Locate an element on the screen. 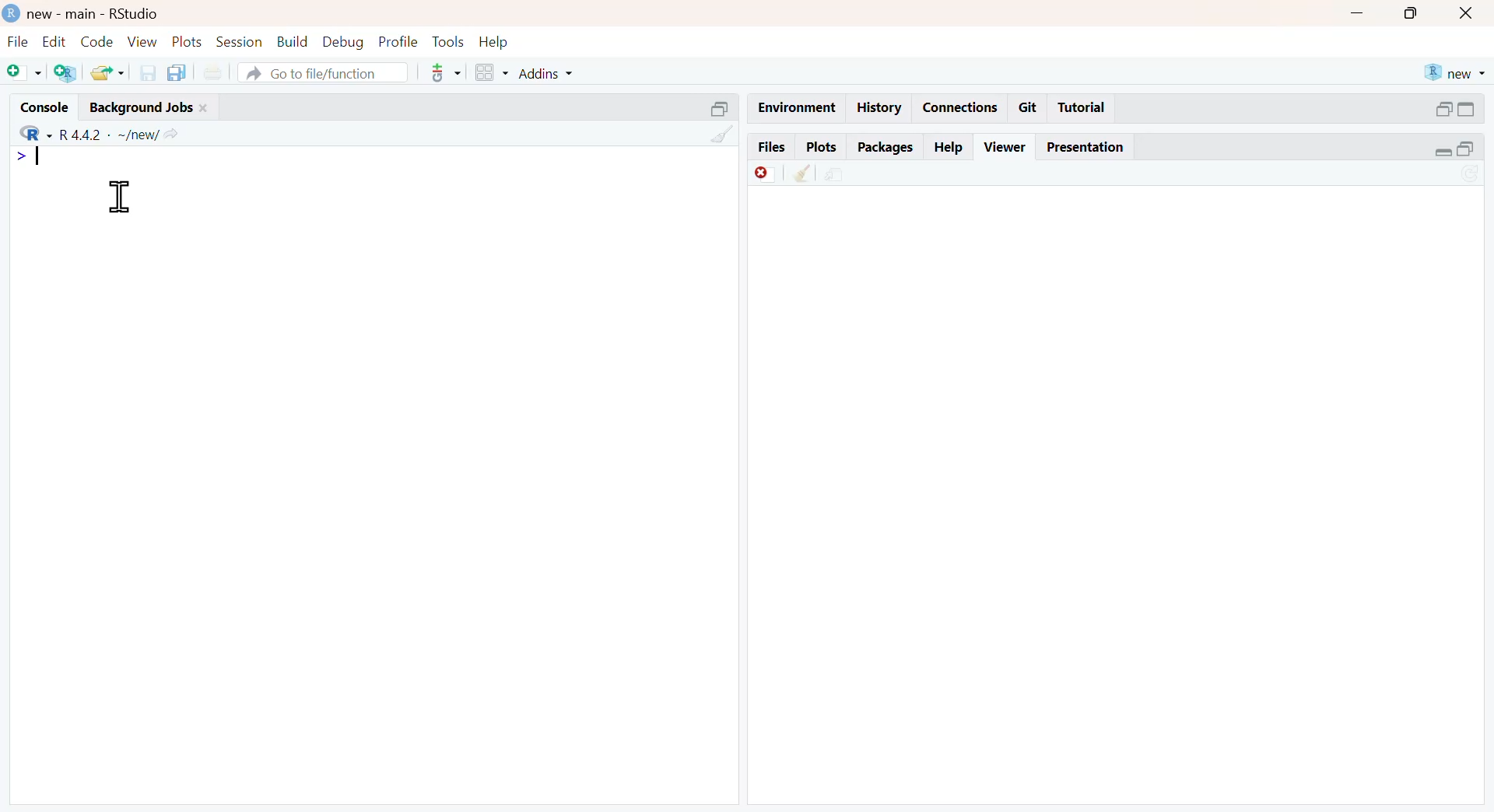 The width and height of the screenshot is (1494, 812). go to file/function is located at coordinates (324, 72).